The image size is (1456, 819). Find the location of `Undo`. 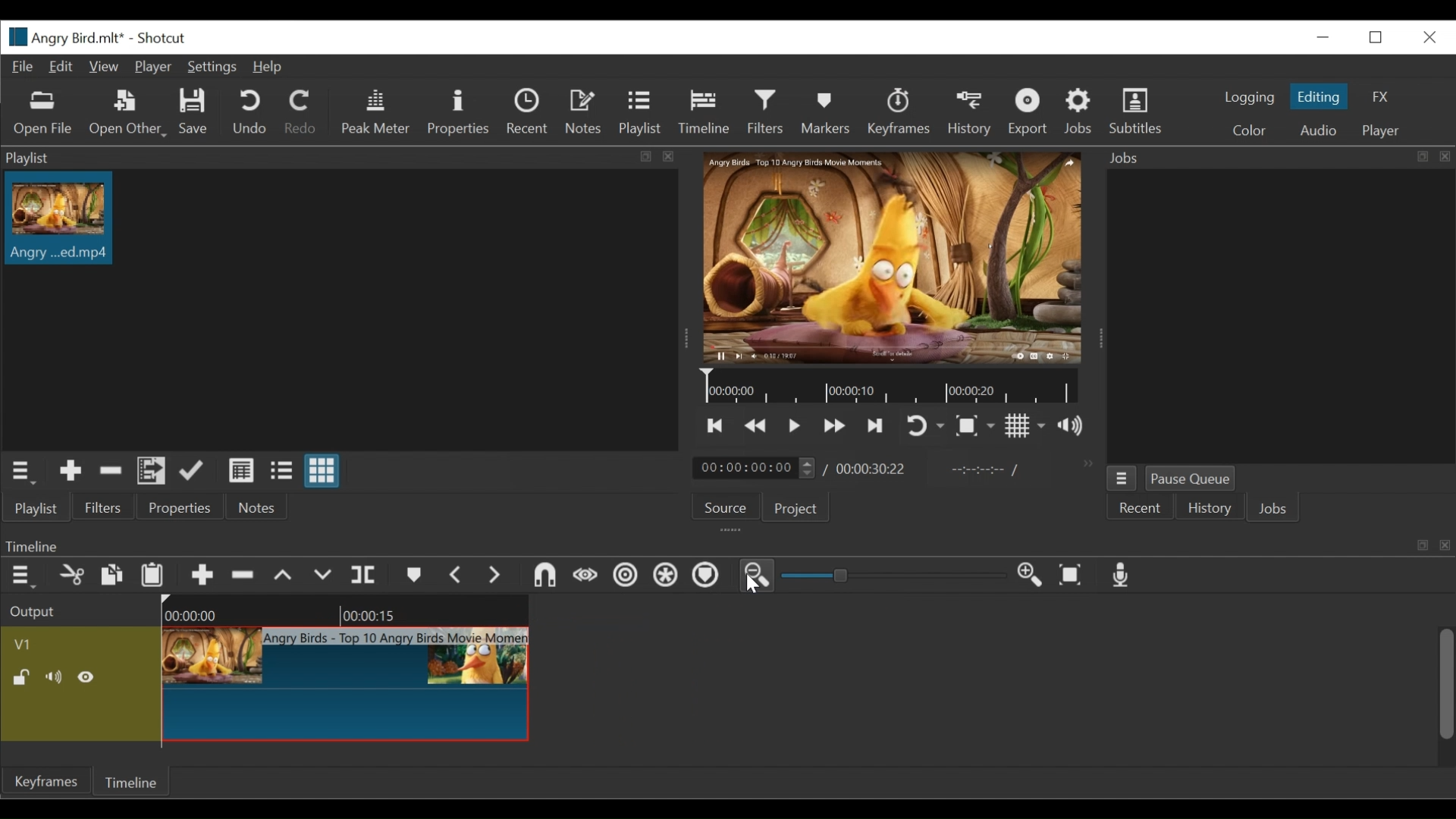

Undo is located at coordinates (249, 112).